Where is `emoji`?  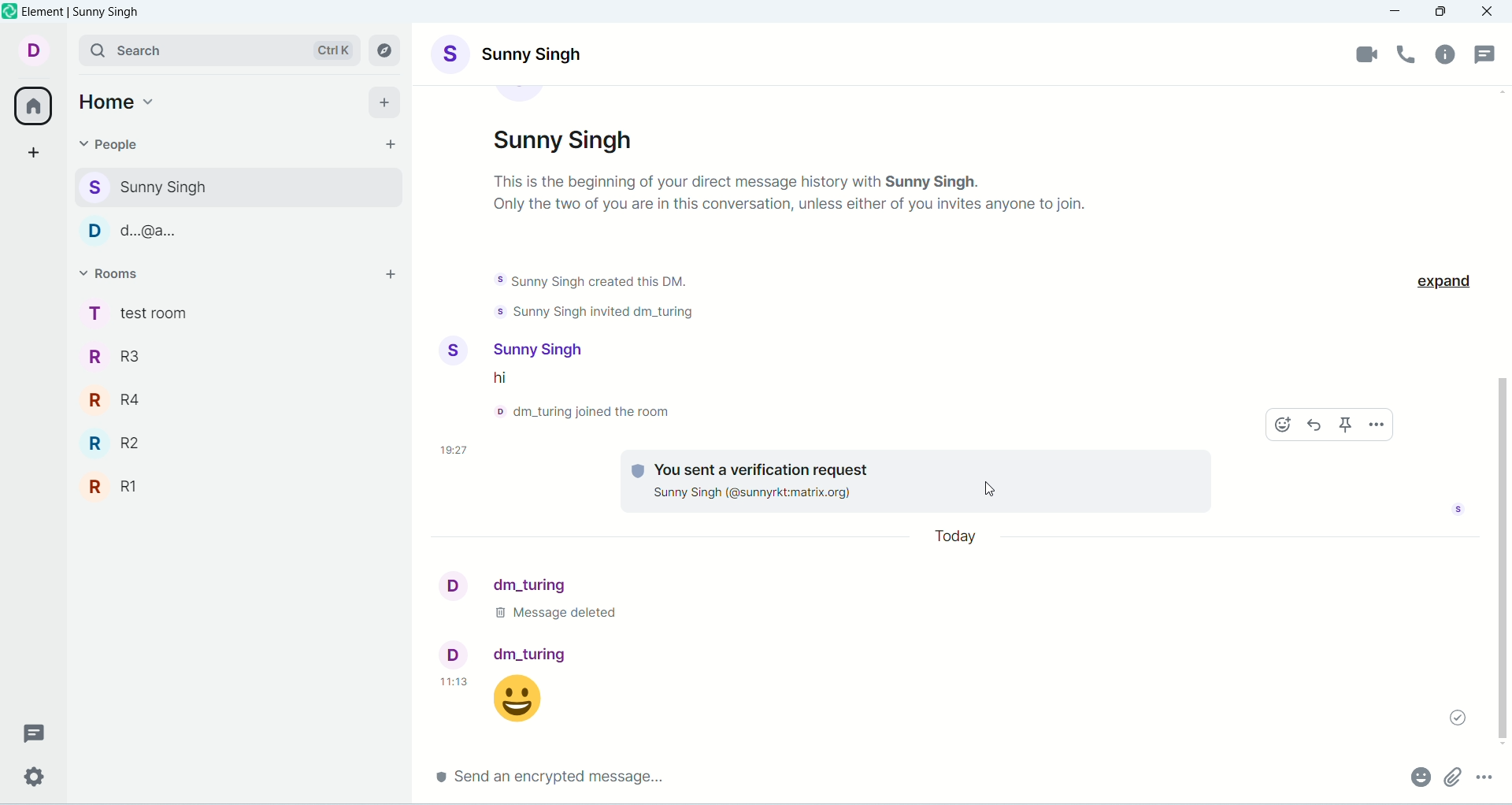 emoji is located at coordinates (1416, 779).